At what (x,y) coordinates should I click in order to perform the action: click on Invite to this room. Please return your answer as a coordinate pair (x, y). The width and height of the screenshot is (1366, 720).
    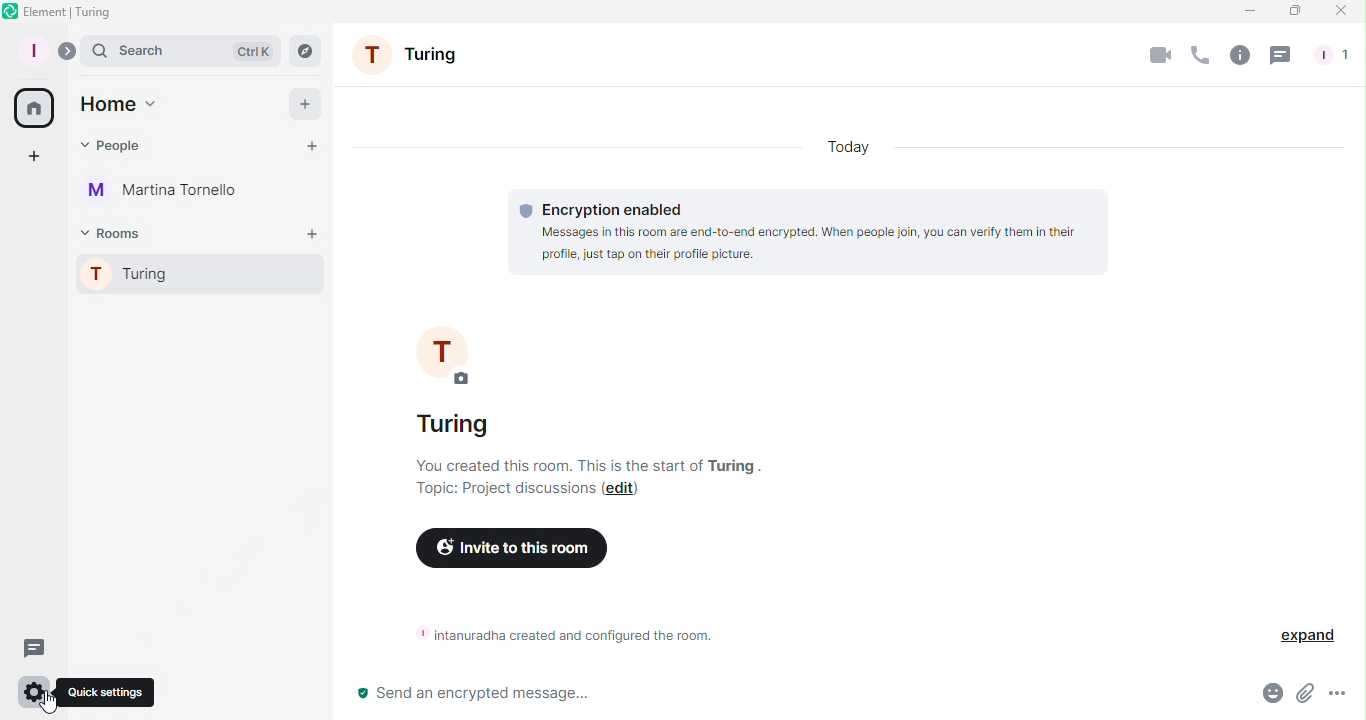
    Looking at the image, I should click on (511, 549).